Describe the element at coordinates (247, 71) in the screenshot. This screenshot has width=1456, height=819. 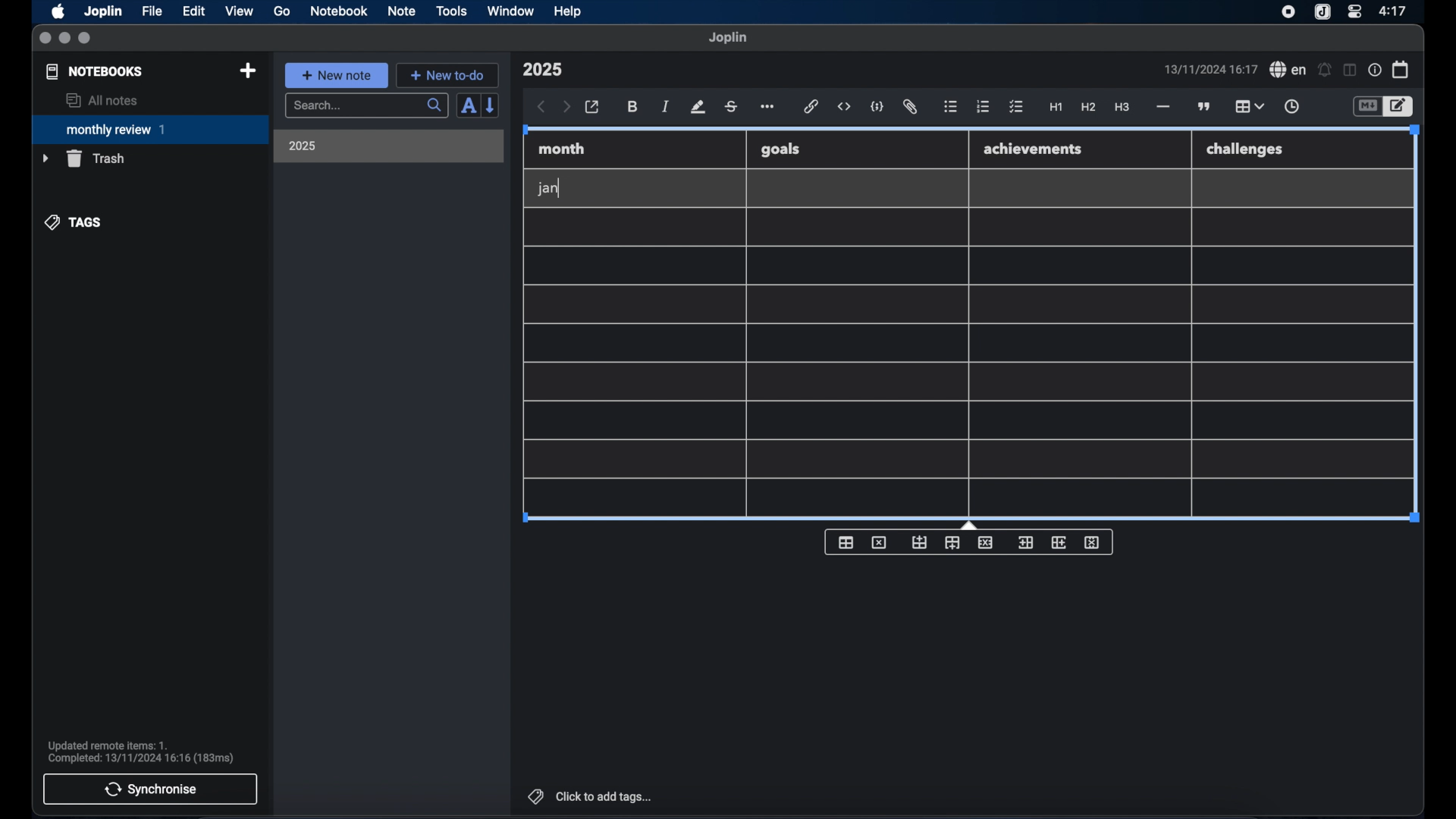
I see `new notebook` at that location.